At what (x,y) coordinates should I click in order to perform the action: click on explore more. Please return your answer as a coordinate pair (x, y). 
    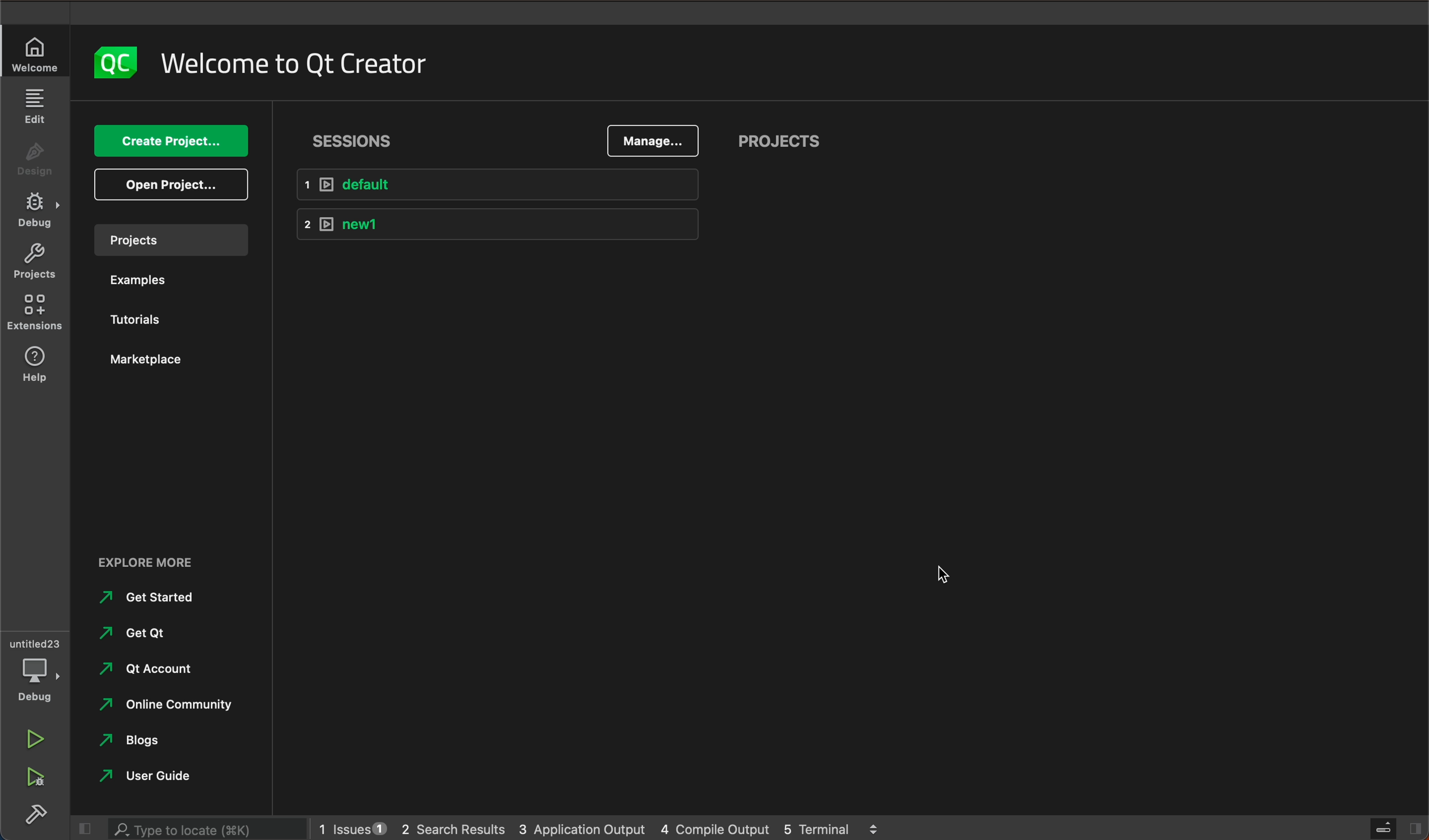
    Looking at the image, I should click on (168, 554).